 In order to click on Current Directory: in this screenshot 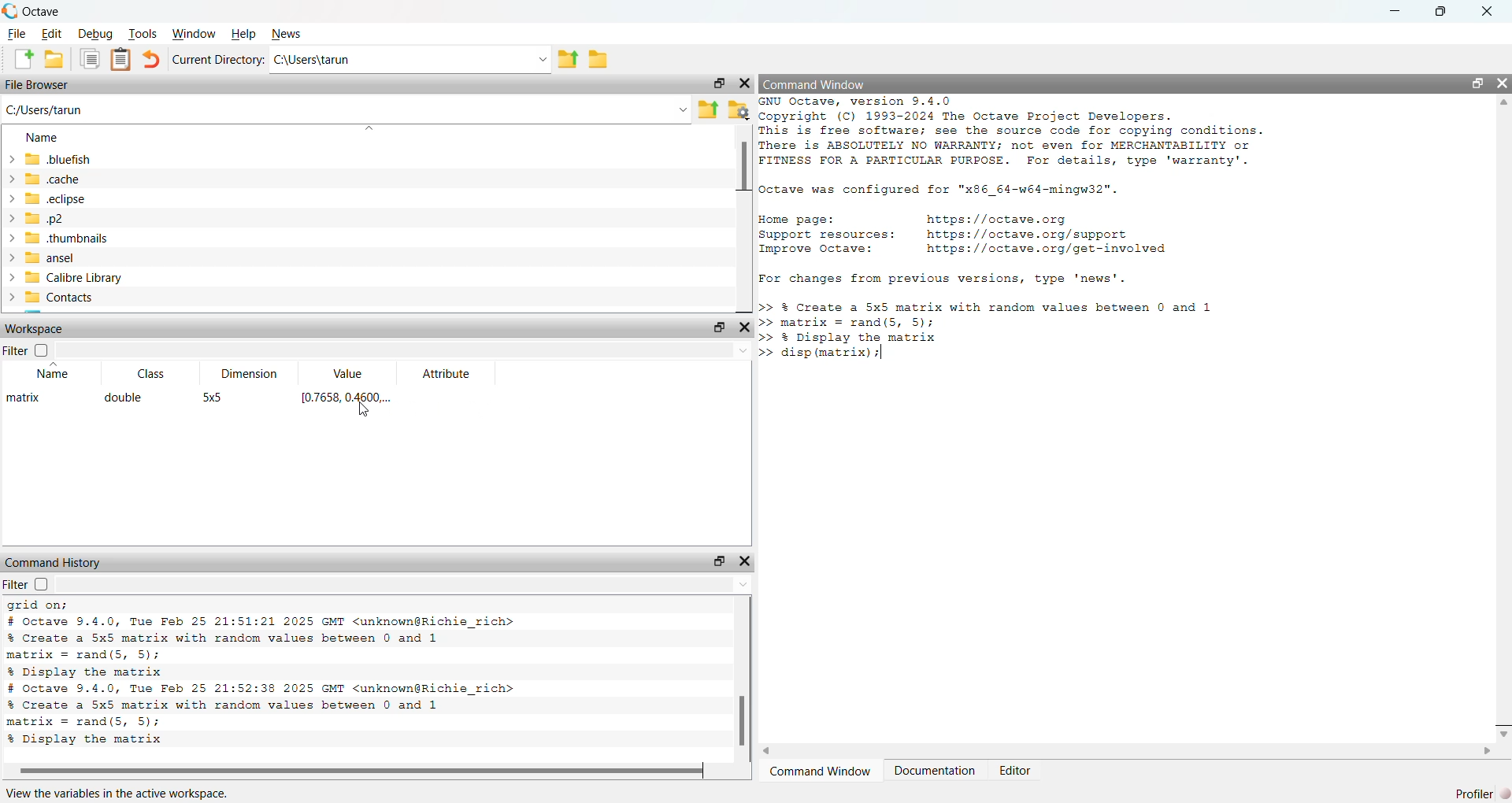, I will do `click(220, 58)`.